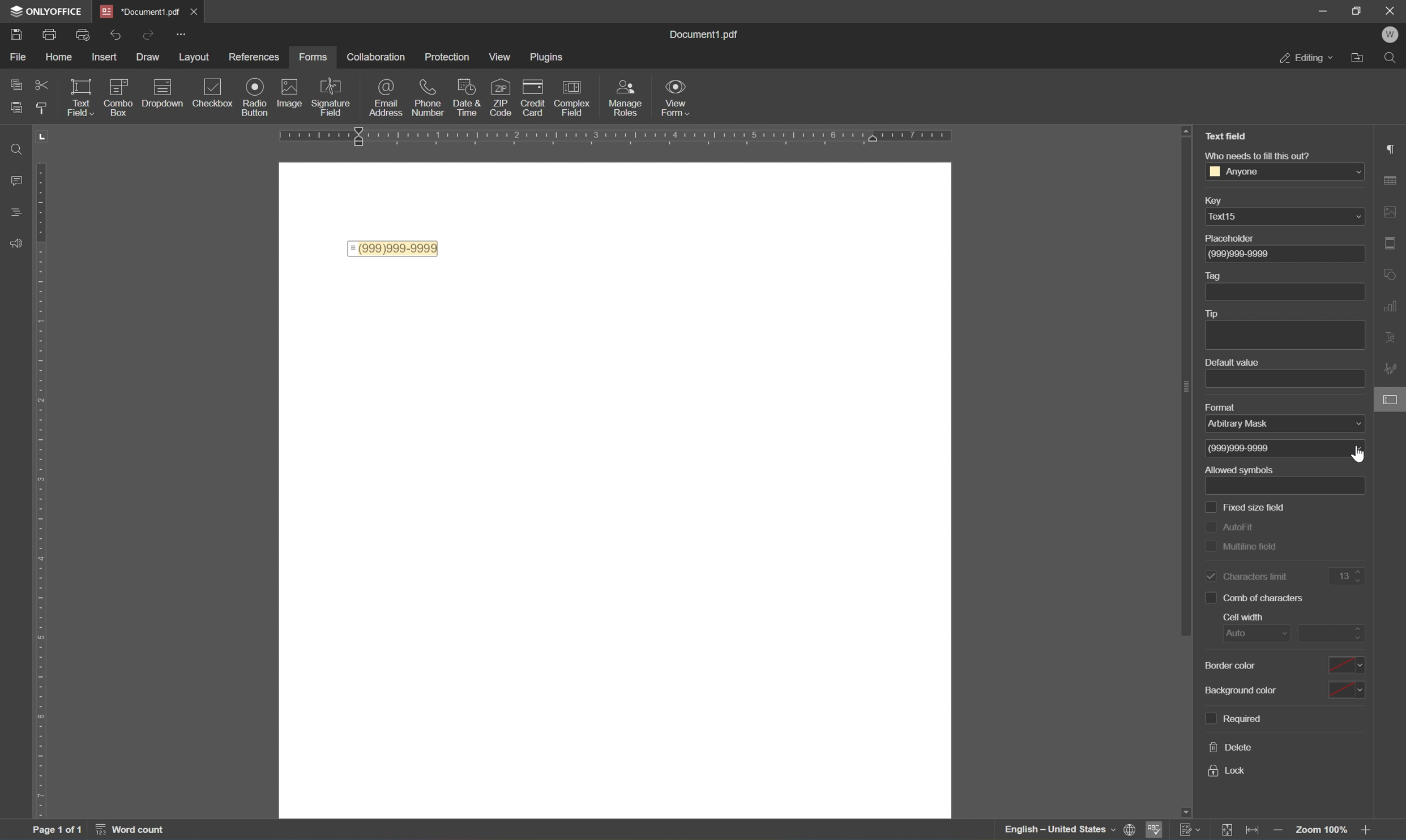  Describe the element at coordinates (42, 85) in the screenshot. I see `cut` at that location.